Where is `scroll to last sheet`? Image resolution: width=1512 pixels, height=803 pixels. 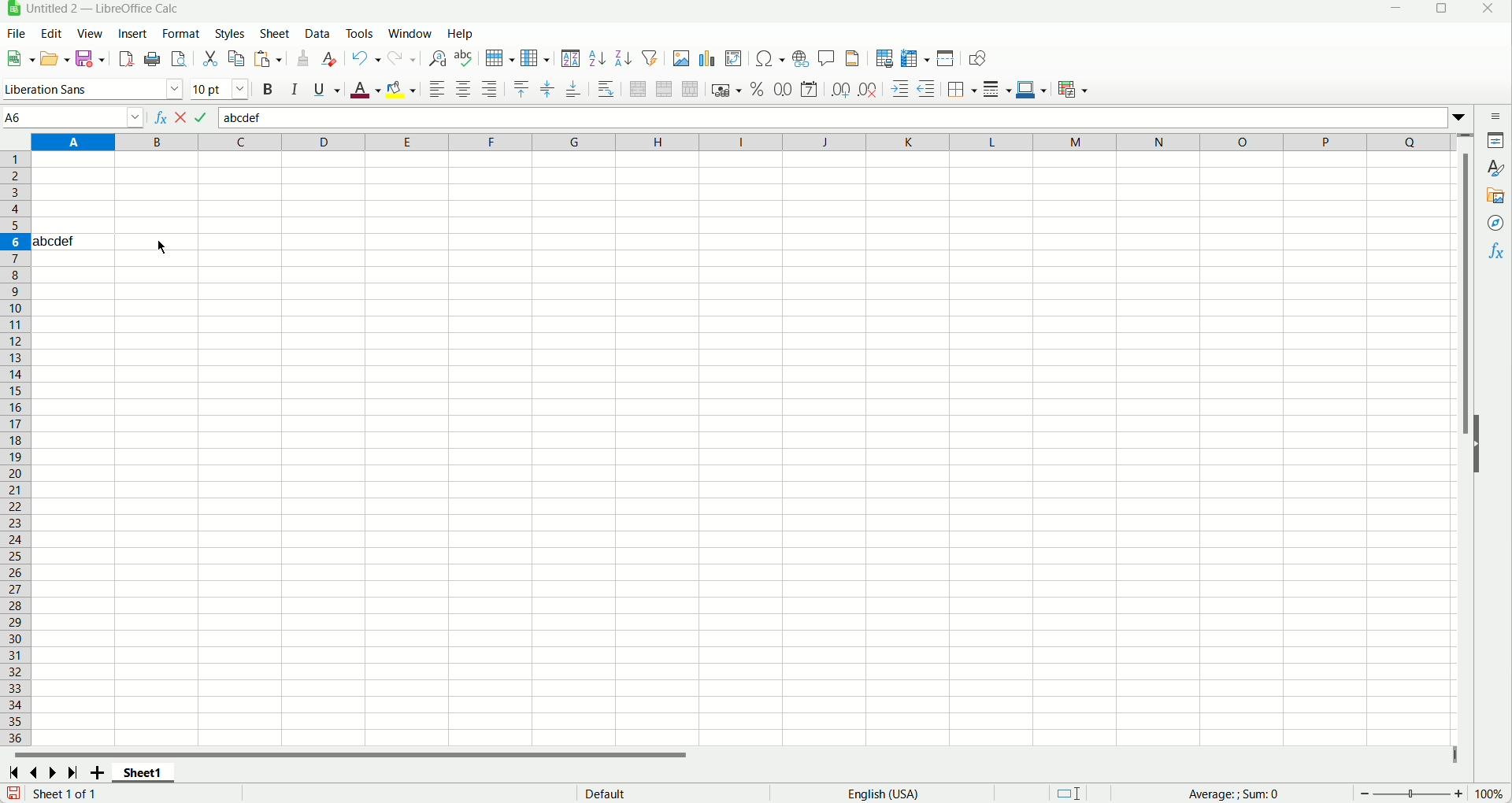 scroll to last sheet is located at coordinates (73, 772).